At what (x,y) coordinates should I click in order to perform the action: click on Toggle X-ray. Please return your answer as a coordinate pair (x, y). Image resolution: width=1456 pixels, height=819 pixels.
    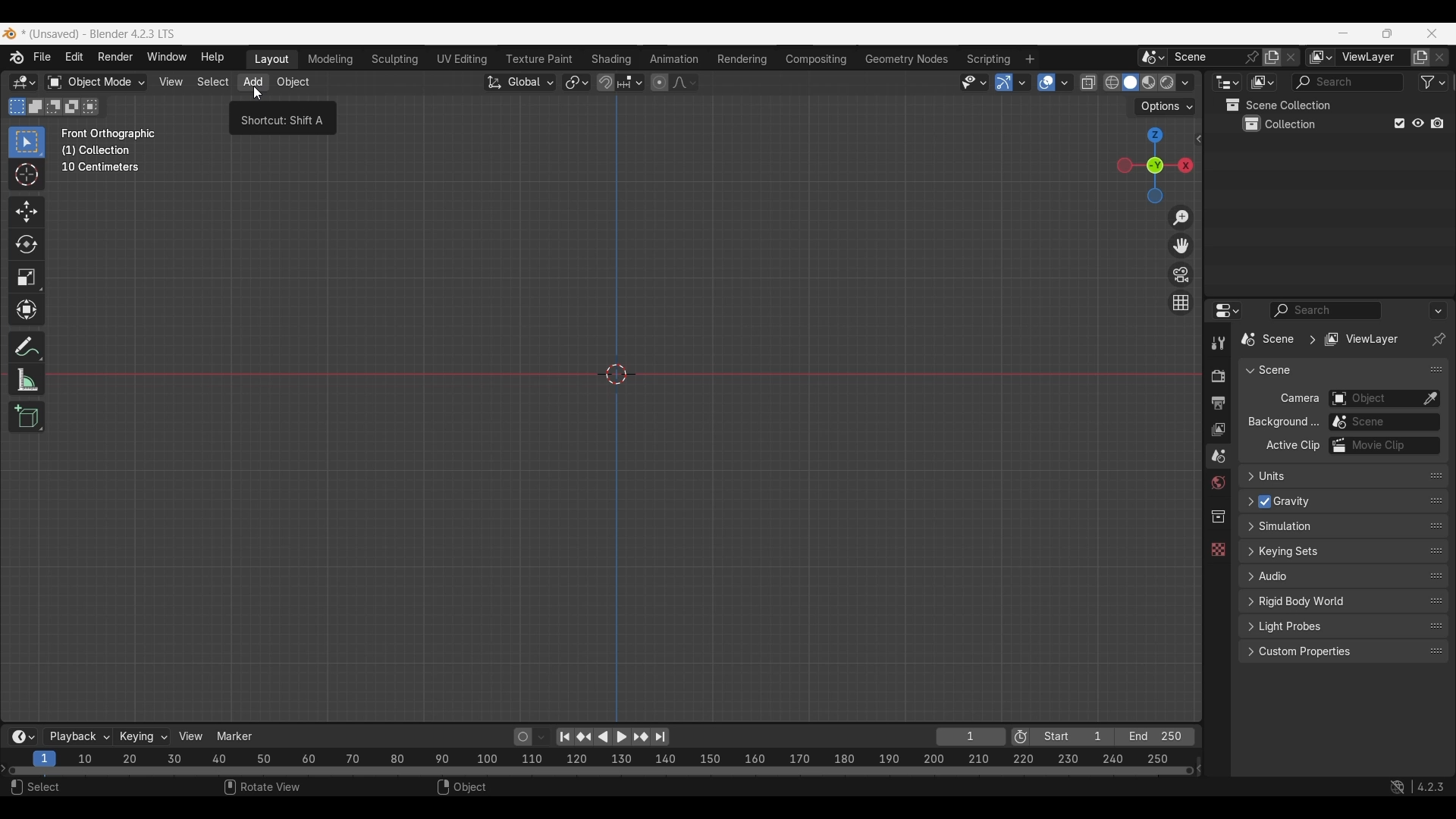
    Looking at the image, I should click on (1089, 83).